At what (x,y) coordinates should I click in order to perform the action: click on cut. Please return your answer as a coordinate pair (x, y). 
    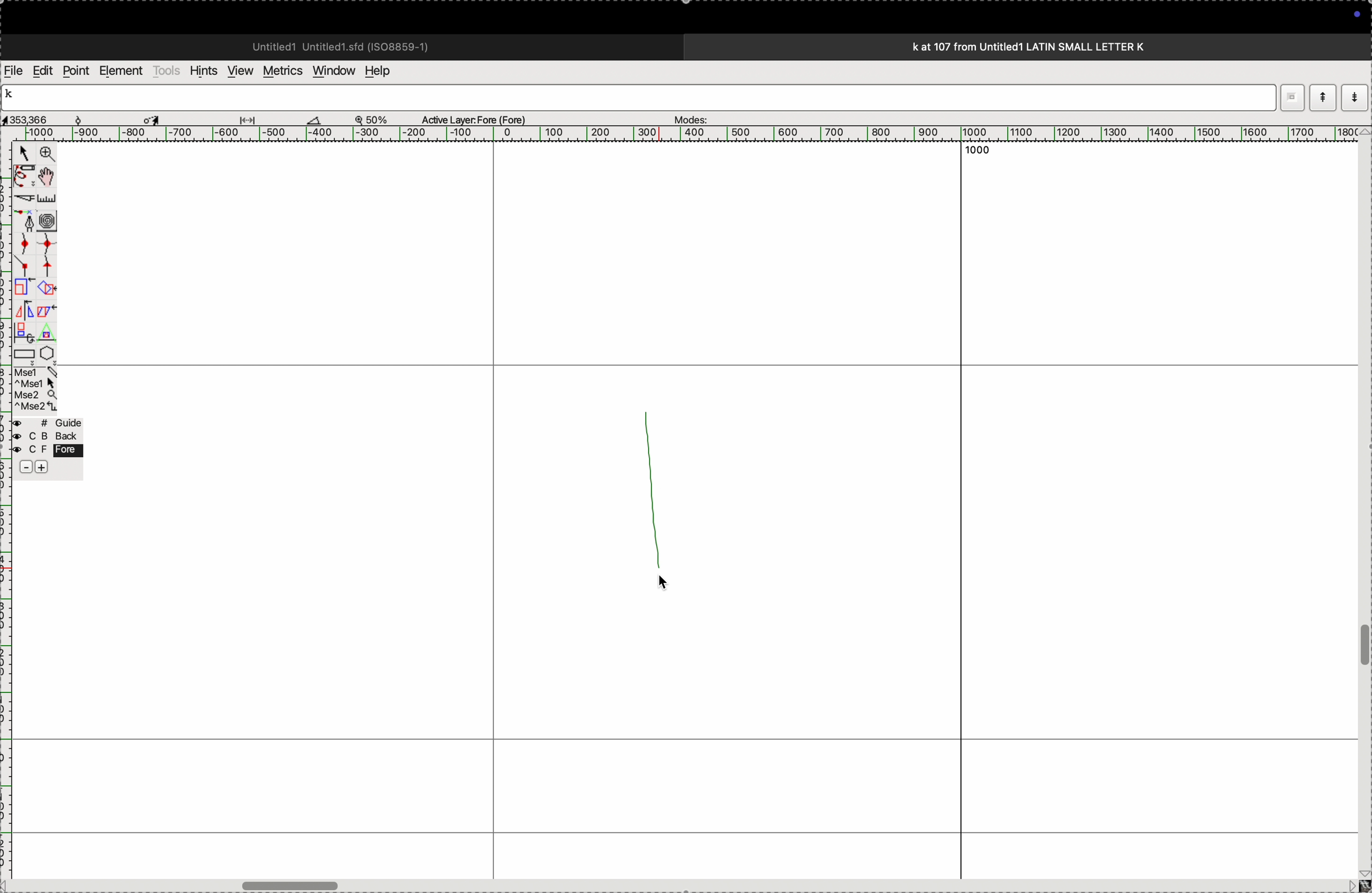
    Looking at the image, I should click on (314, 119).